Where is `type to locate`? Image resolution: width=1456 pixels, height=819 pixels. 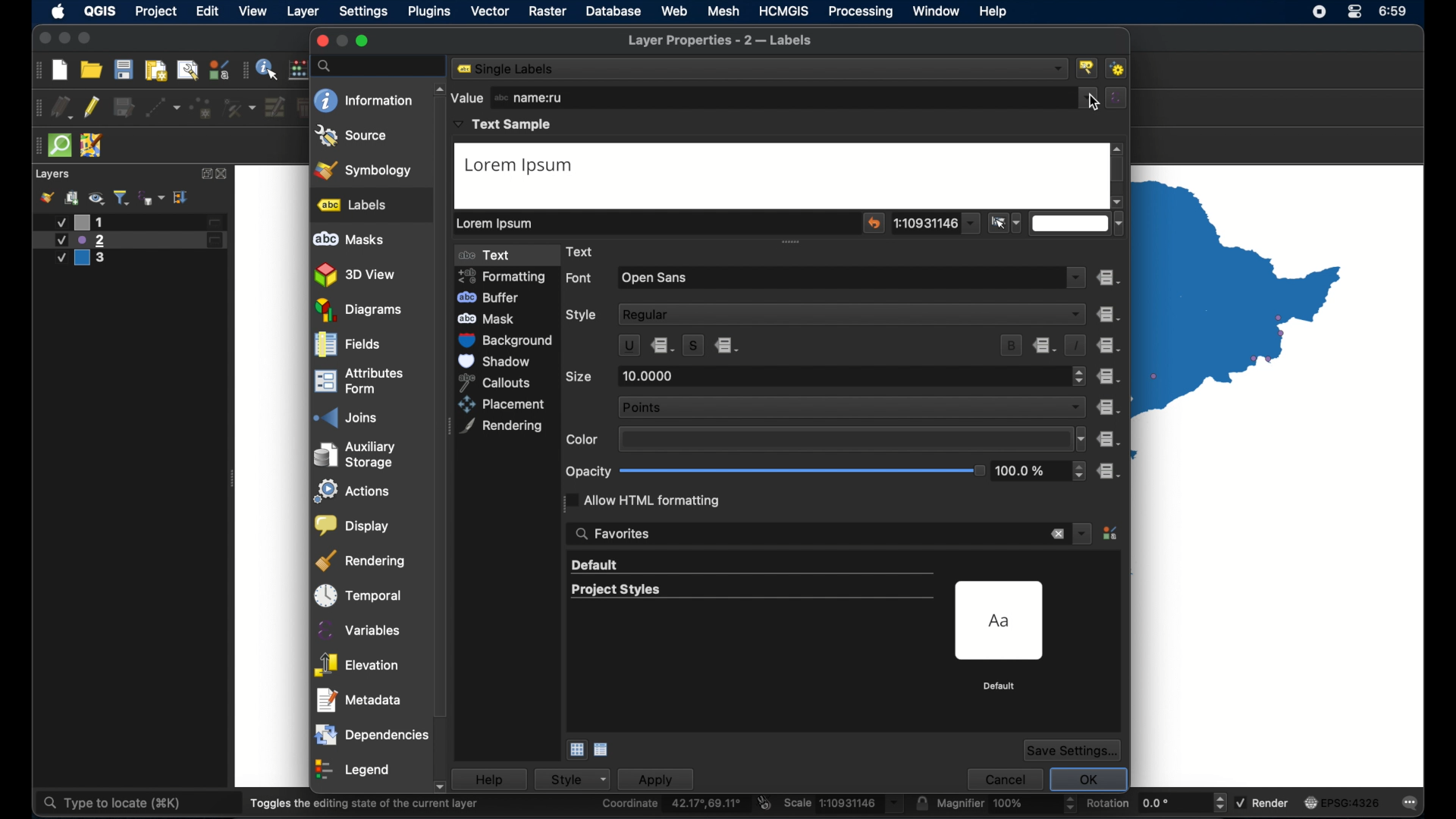 type to locate is located at coordinates (110, 804).